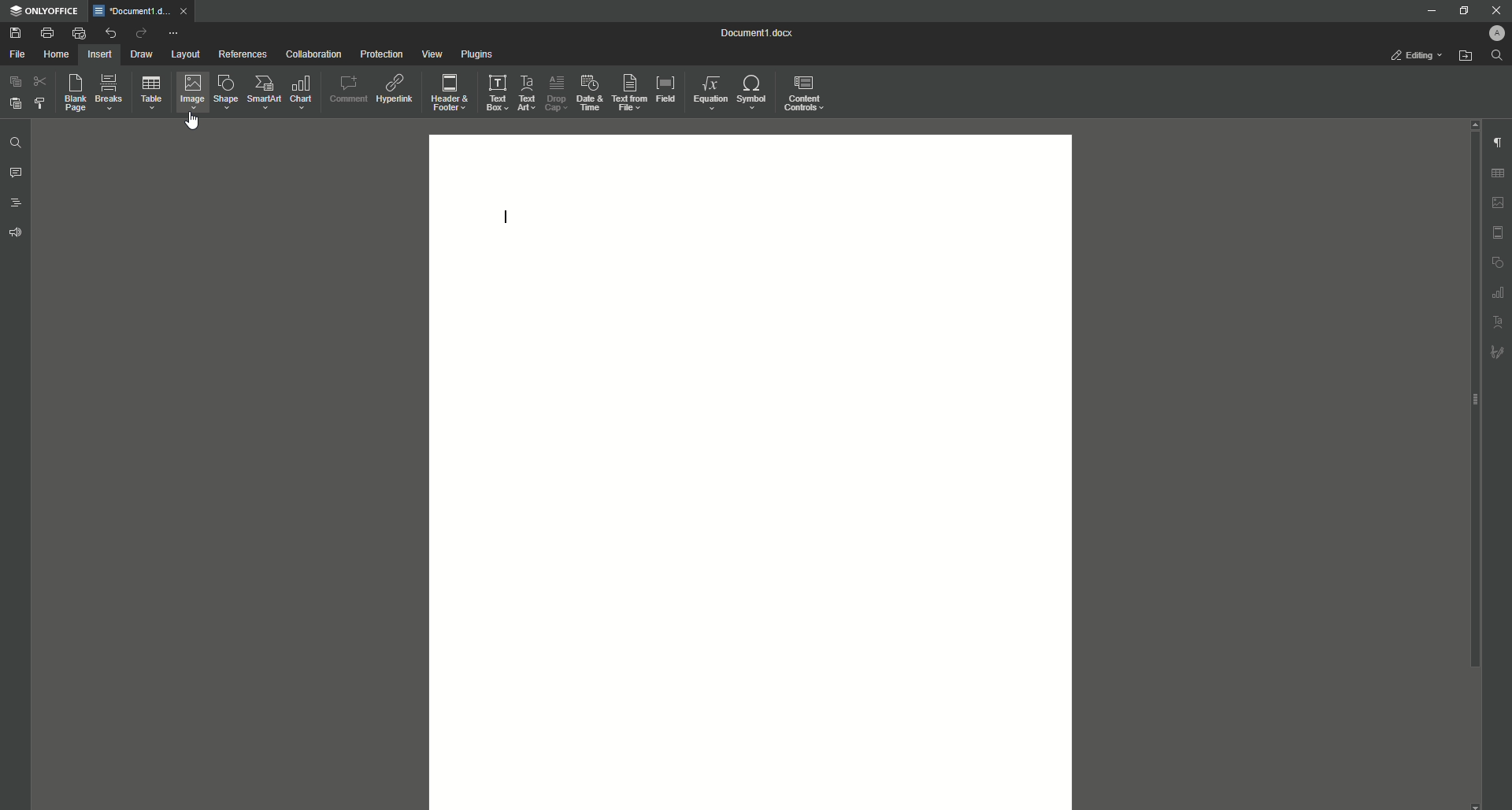 This screenshot has height=810, width=1512. What do you see at coordinates (556, 94) in the screenshot?
I see `Drop Cap` at bounding box center [556, 94].